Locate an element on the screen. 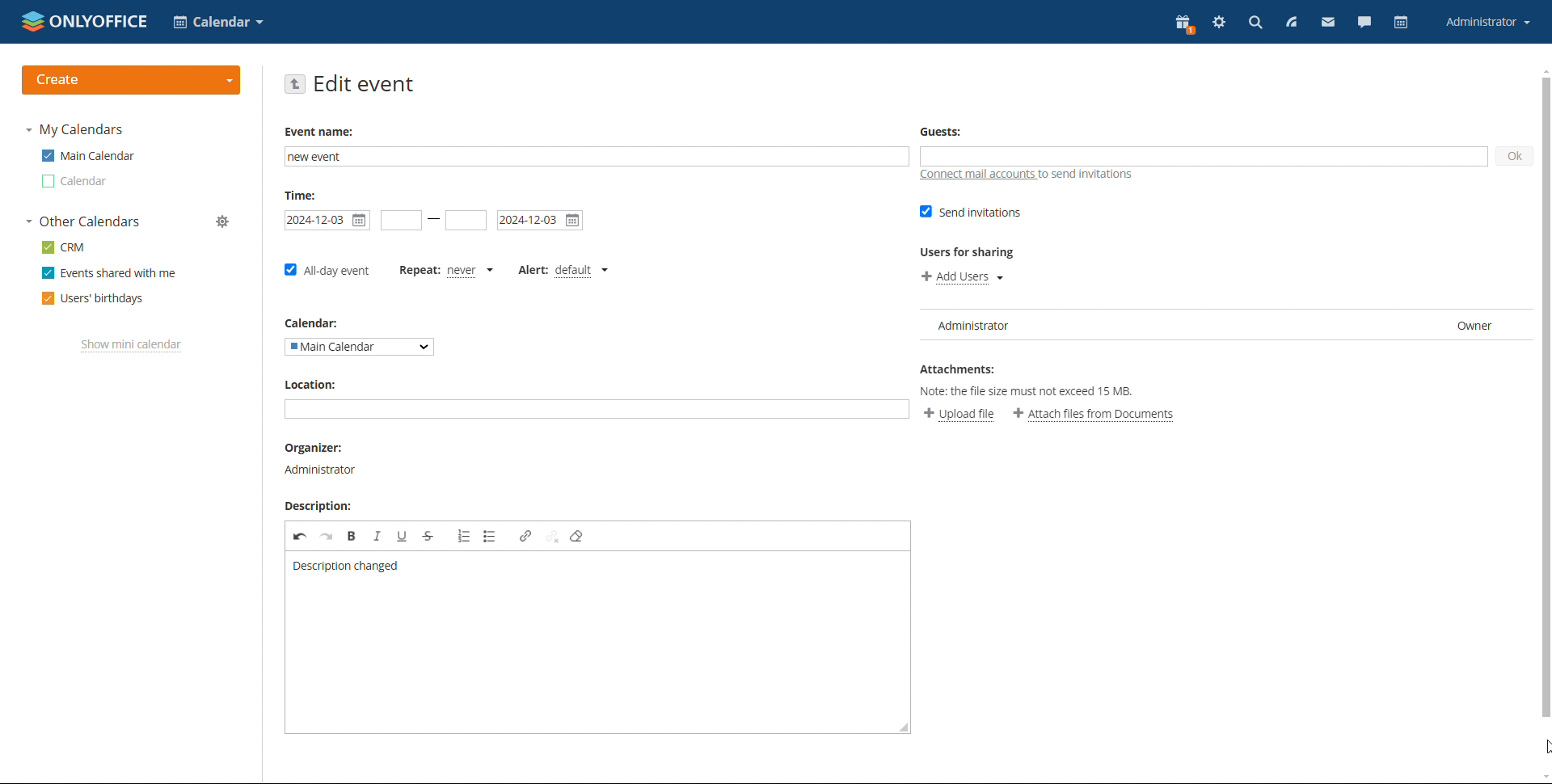 The width and height of the screenshot is (1552, 784). edit event is located at coordinates (365, 85).